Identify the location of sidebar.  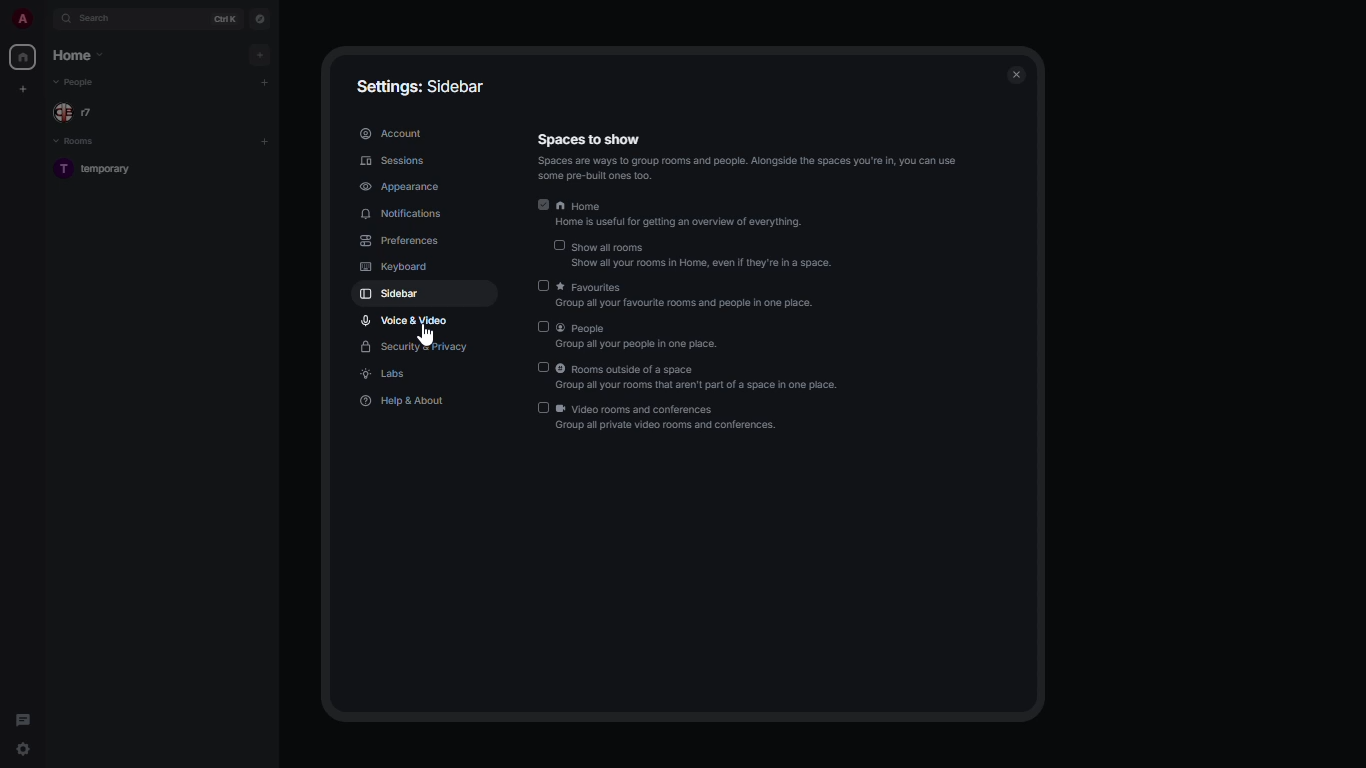
(391, 294).